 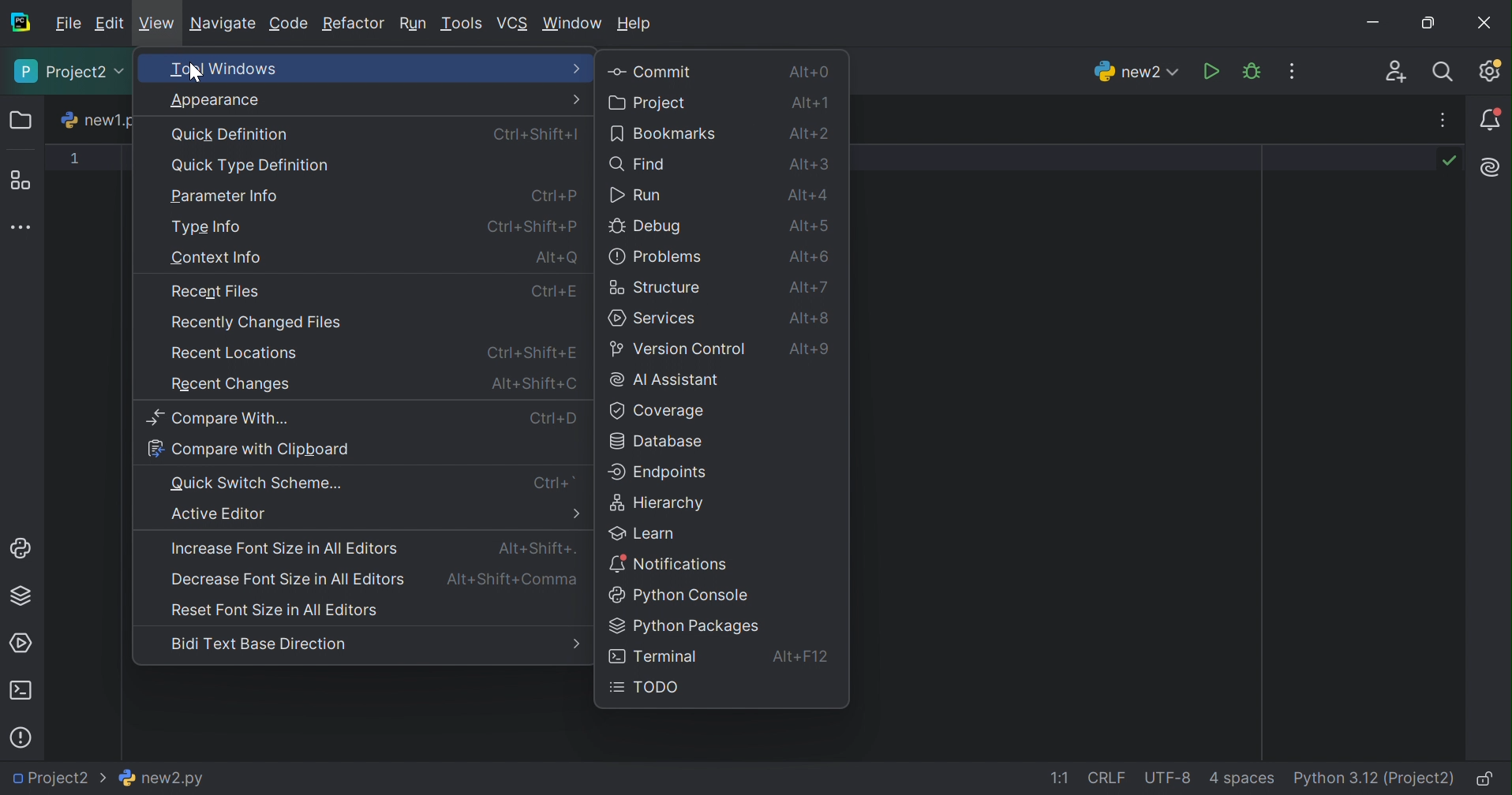 I want to click on Cursor on tool windows, so click(x=196, y=74).